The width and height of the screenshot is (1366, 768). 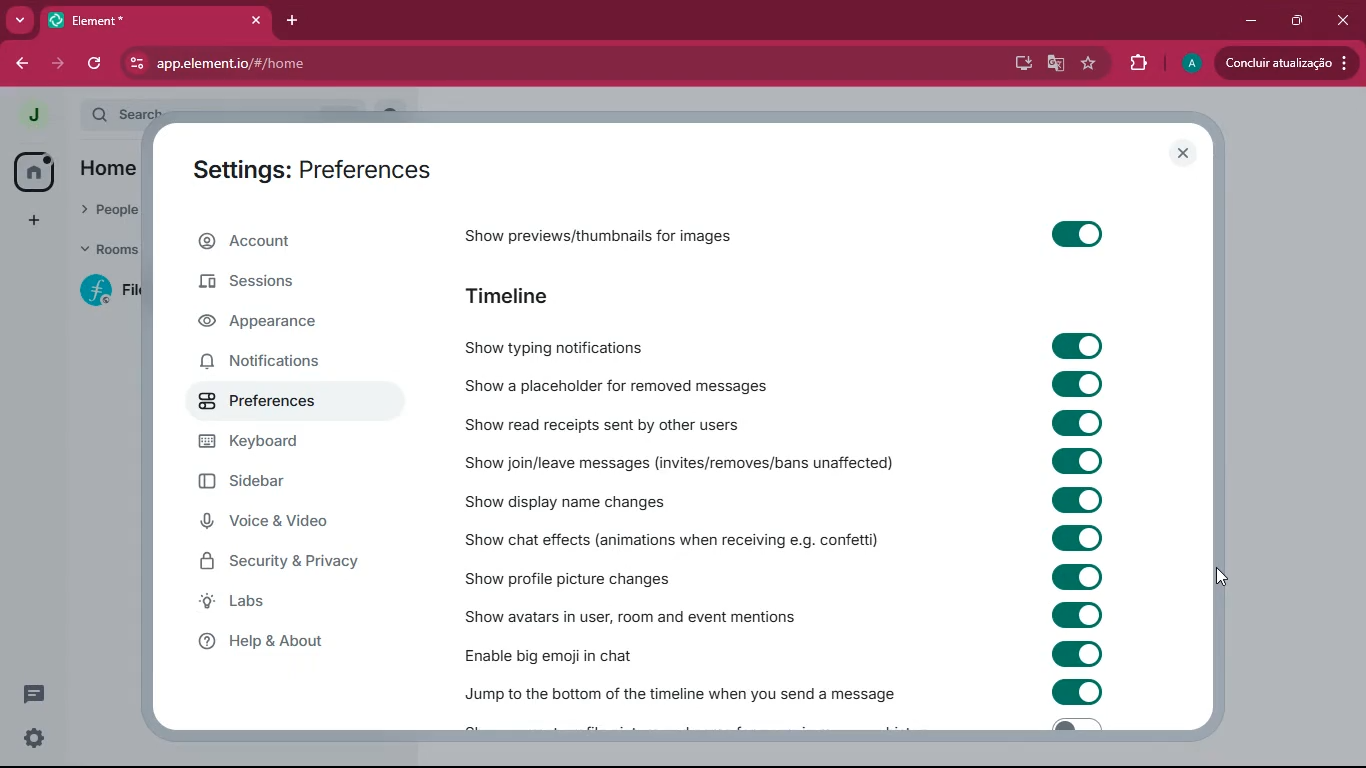 I want to click on labs, so click(x=304, y=606).